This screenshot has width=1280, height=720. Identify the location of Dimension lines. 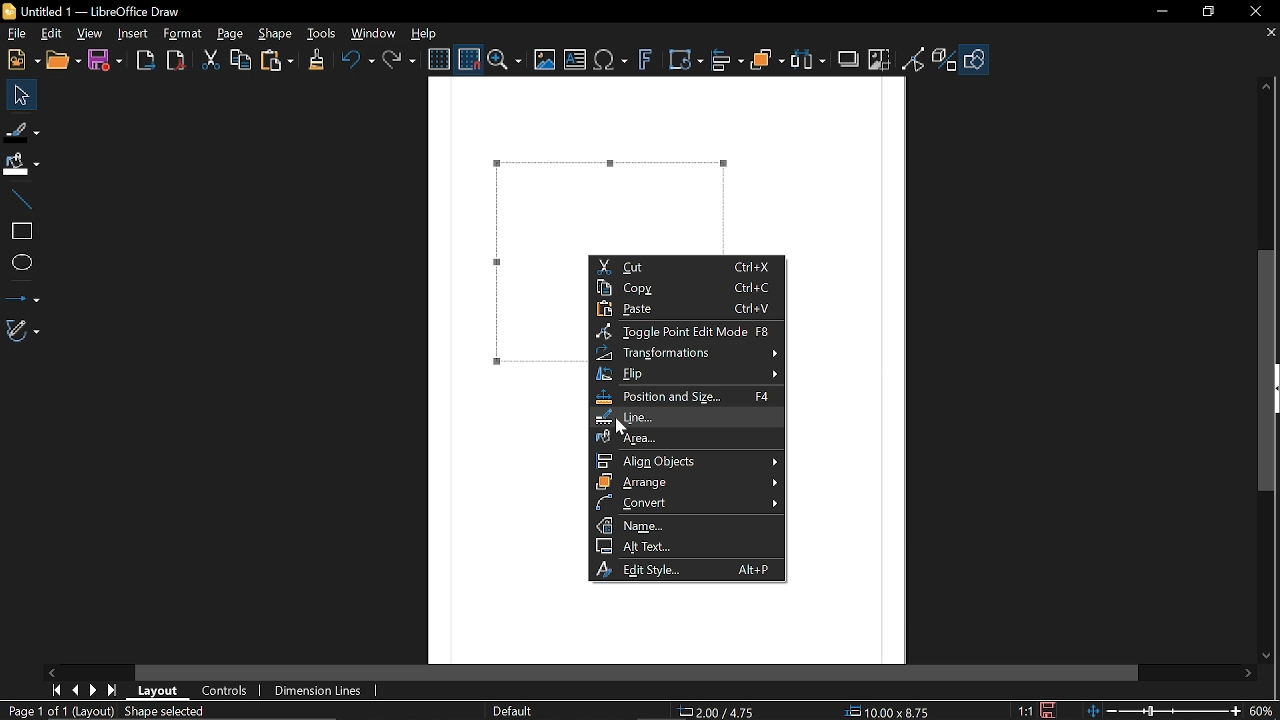
(319, 690).